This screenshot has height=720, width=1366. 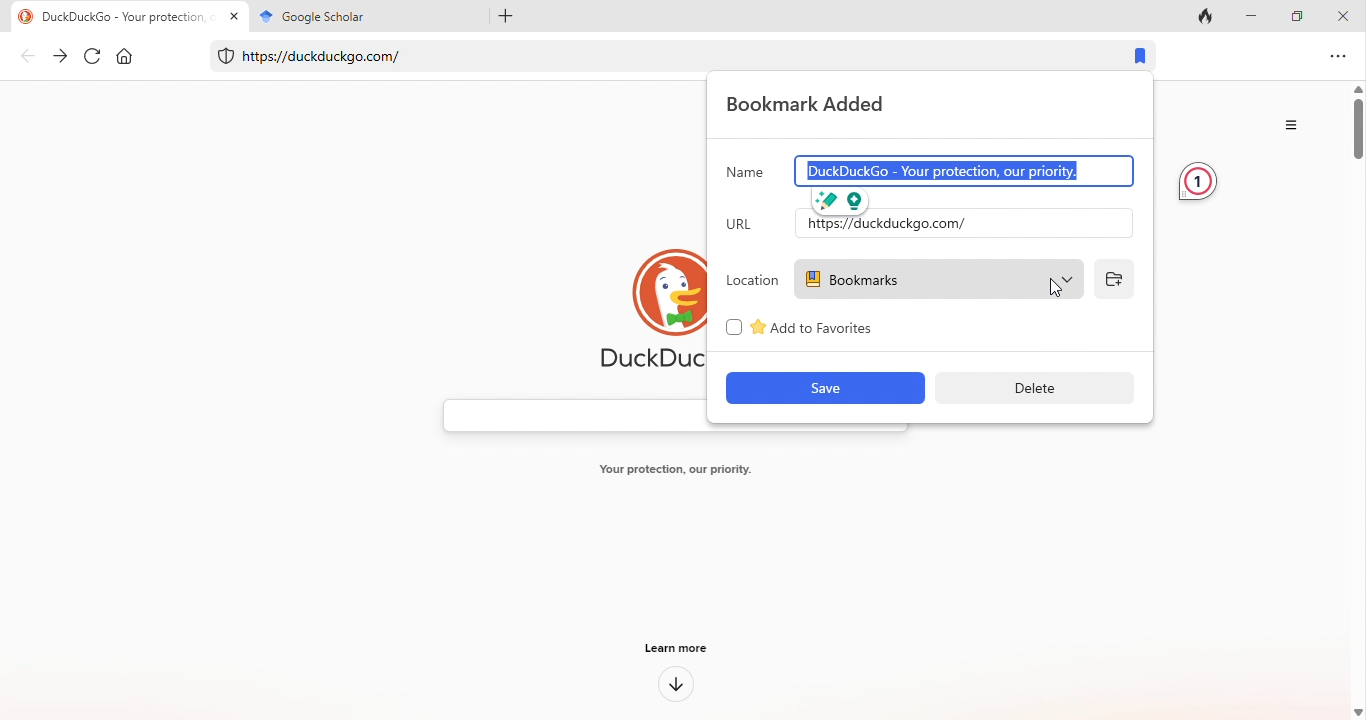 What do you see at coordinates (676, 686) in the screenshot?
I see `down arrow` at bounding box center [676, 686].